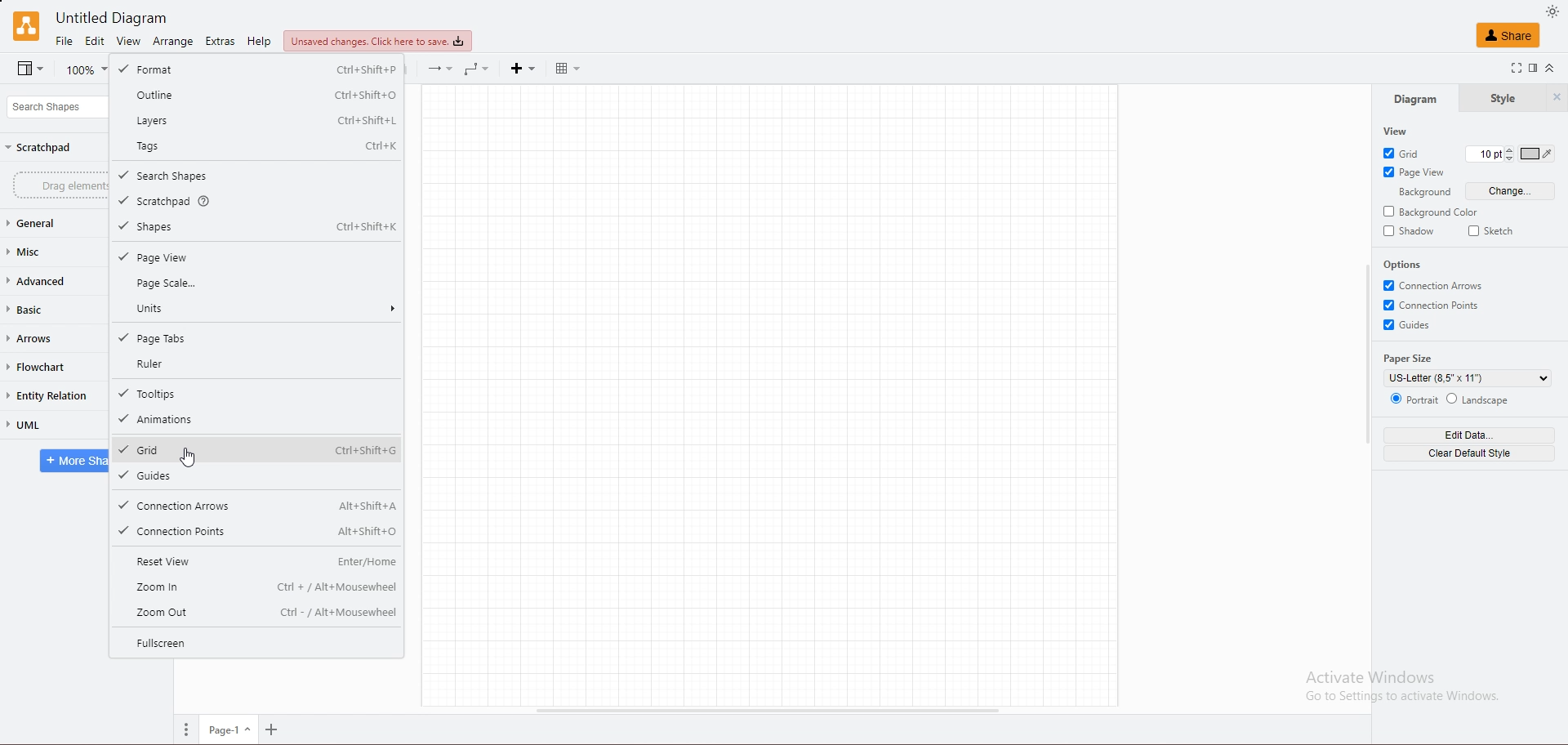 This screenshot has width=1568, height=745. I want to click on page scale, so click(253, 283).